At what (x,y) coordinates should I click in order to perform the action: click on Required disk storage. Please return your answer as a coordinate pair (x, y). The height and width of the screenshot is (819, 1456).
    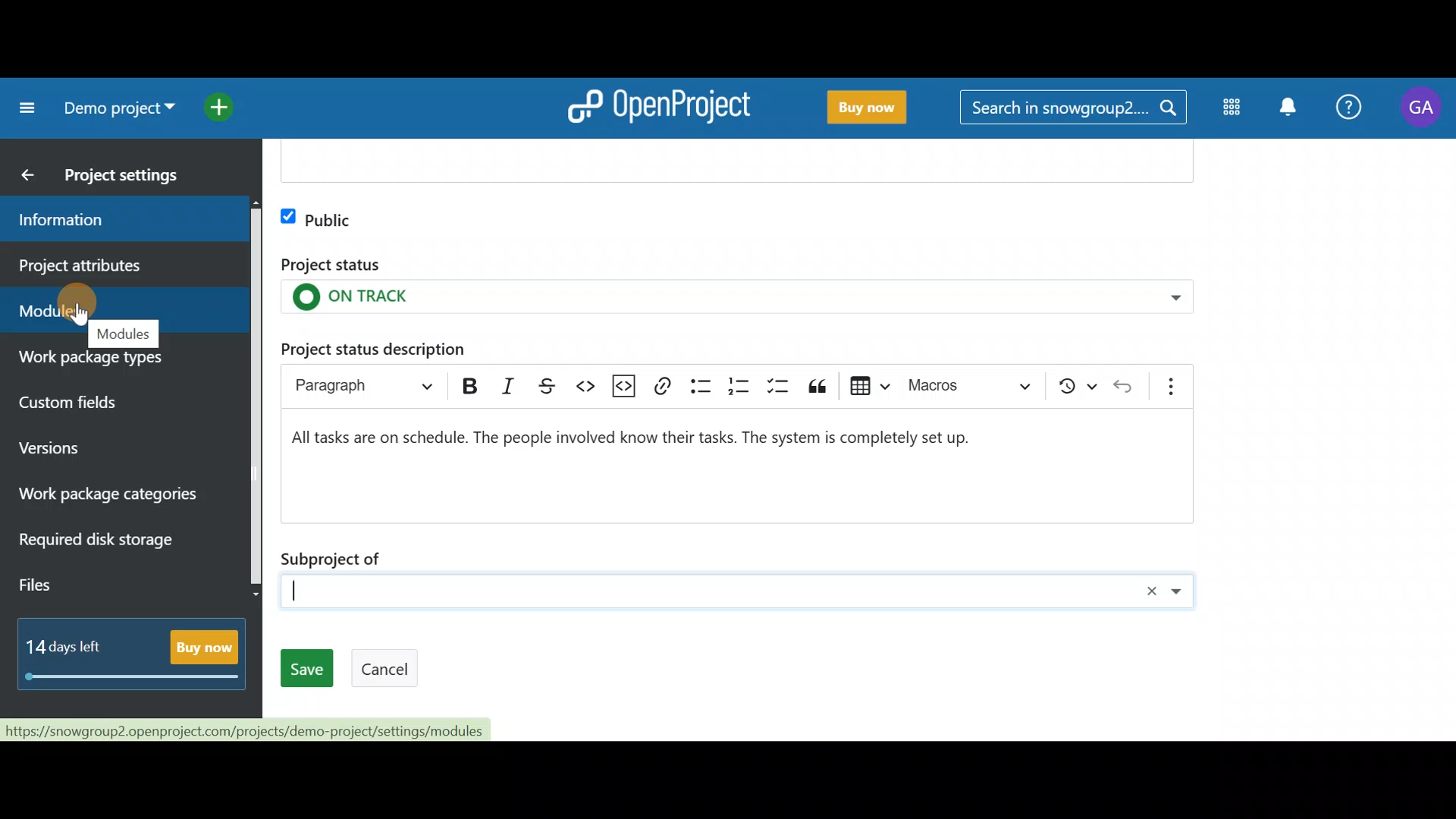
    Looking at the image, I should click on (112, 548).